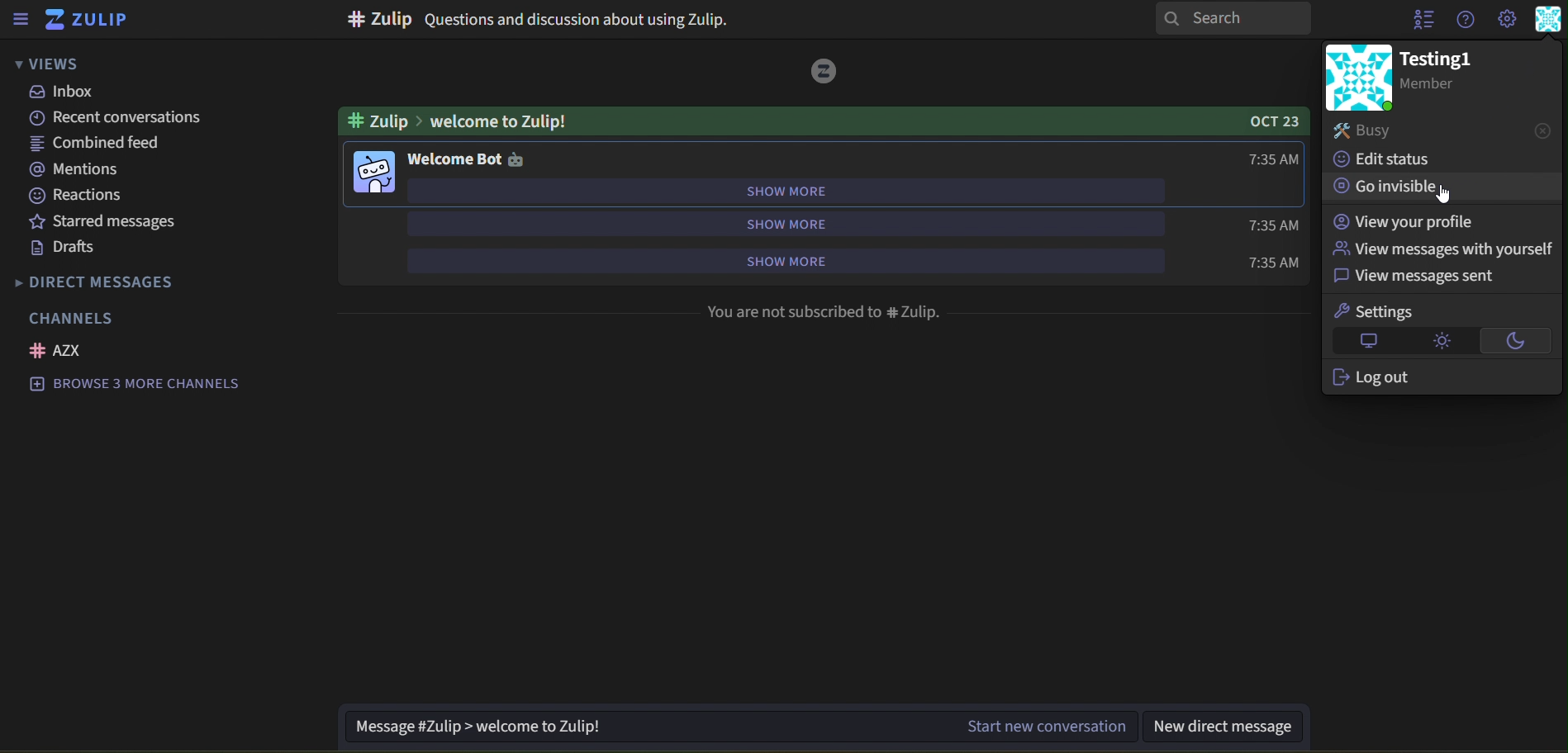 This screenshot has height=753, width=1568. I want to click on get help, so click(1464, 19).